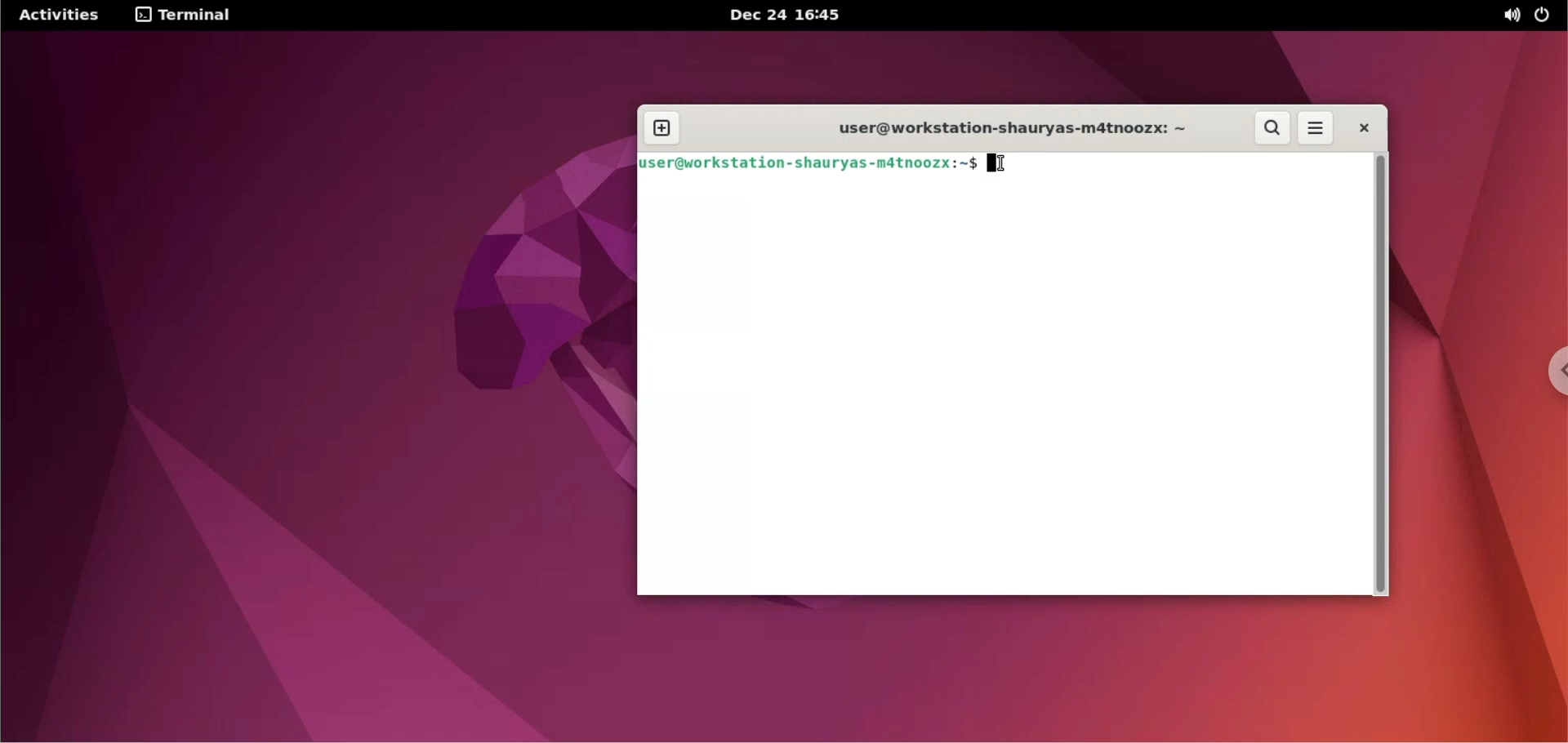  What do you see at coordinates (1546, 16) in the screenshot?
I see `power options` at bounding box center [1546, 16].